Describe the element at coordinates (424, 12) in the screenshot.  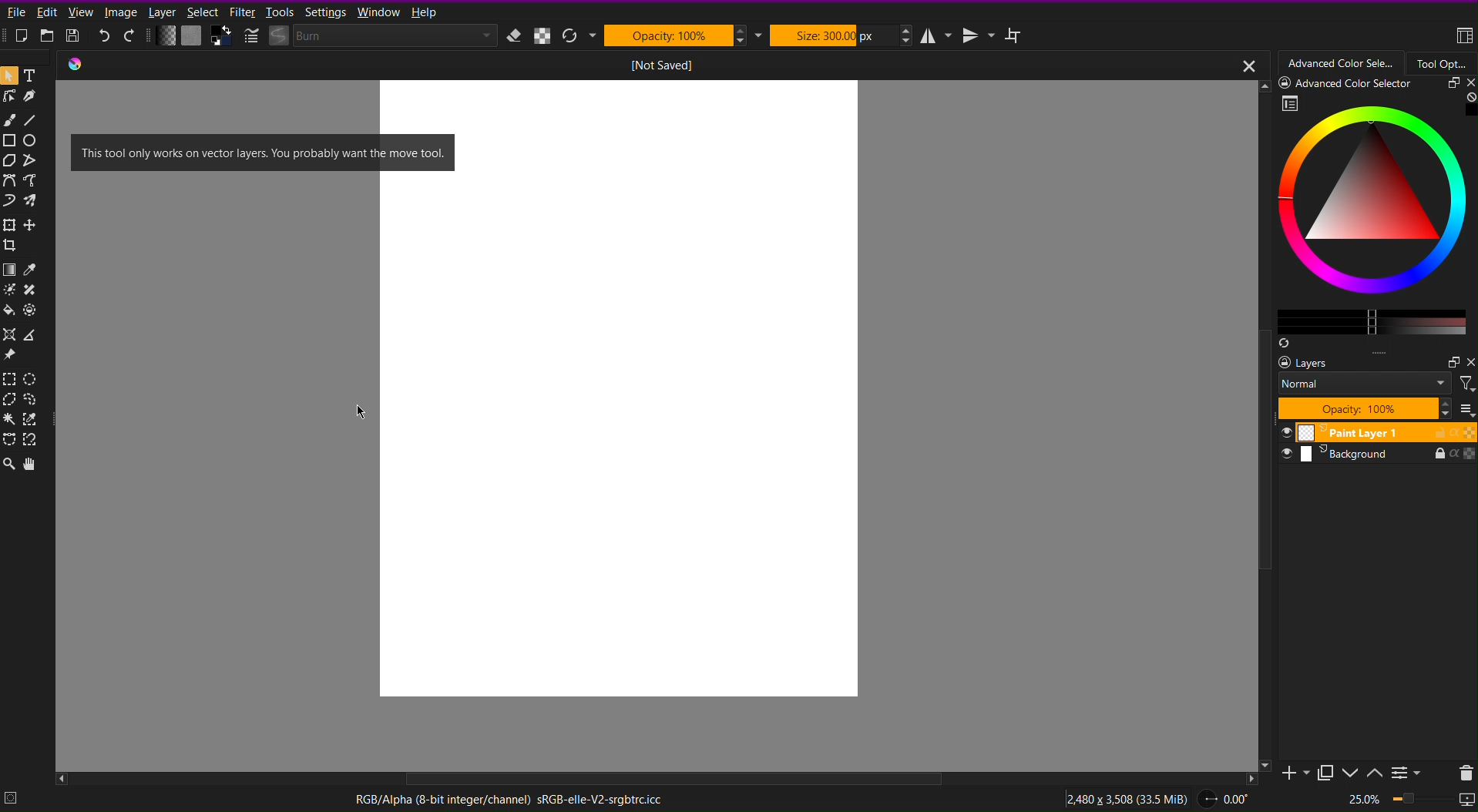
I see `Help` at that location.